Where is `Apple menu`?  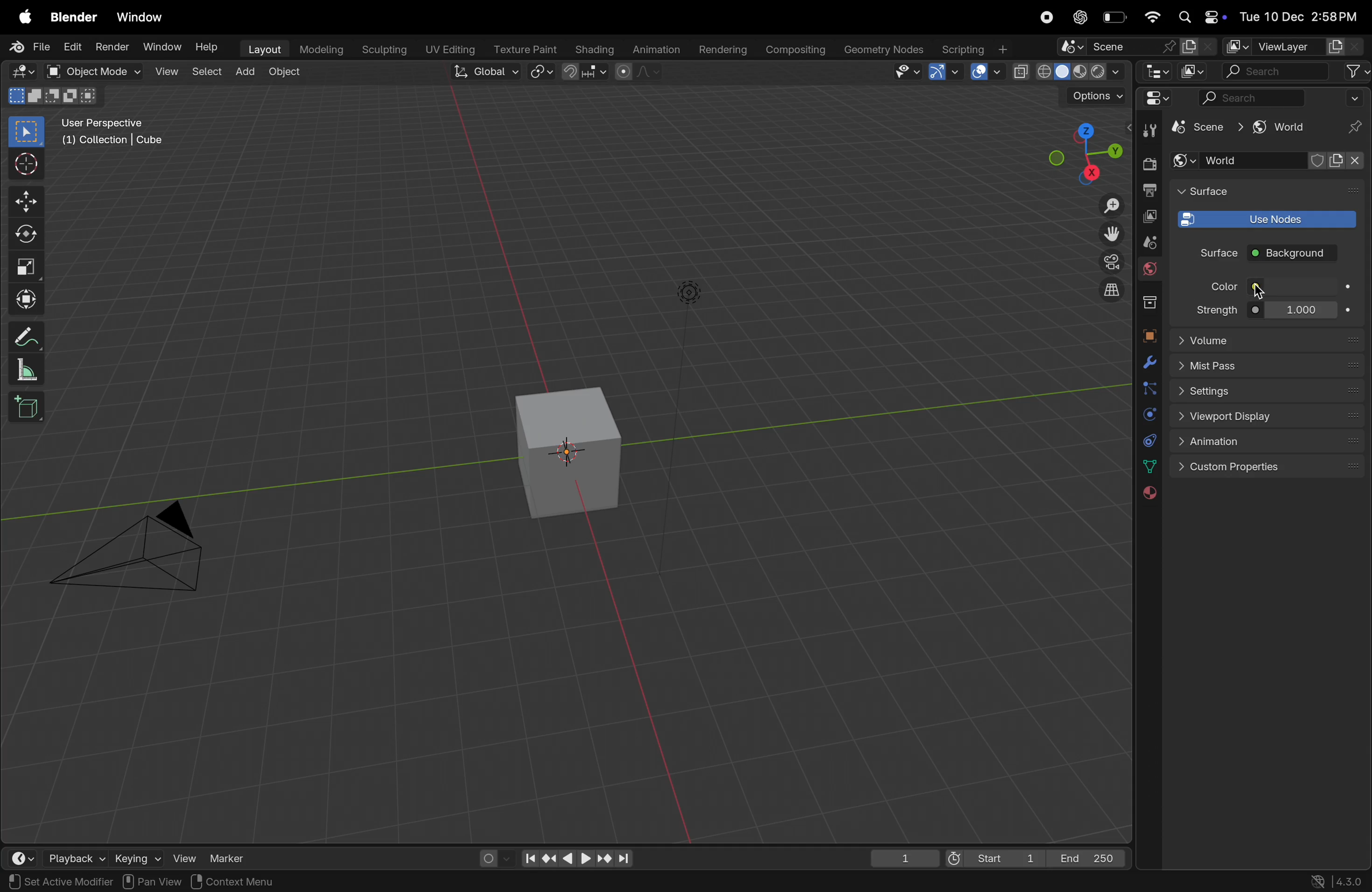 Apple menu is located at coordinates (19, 17).